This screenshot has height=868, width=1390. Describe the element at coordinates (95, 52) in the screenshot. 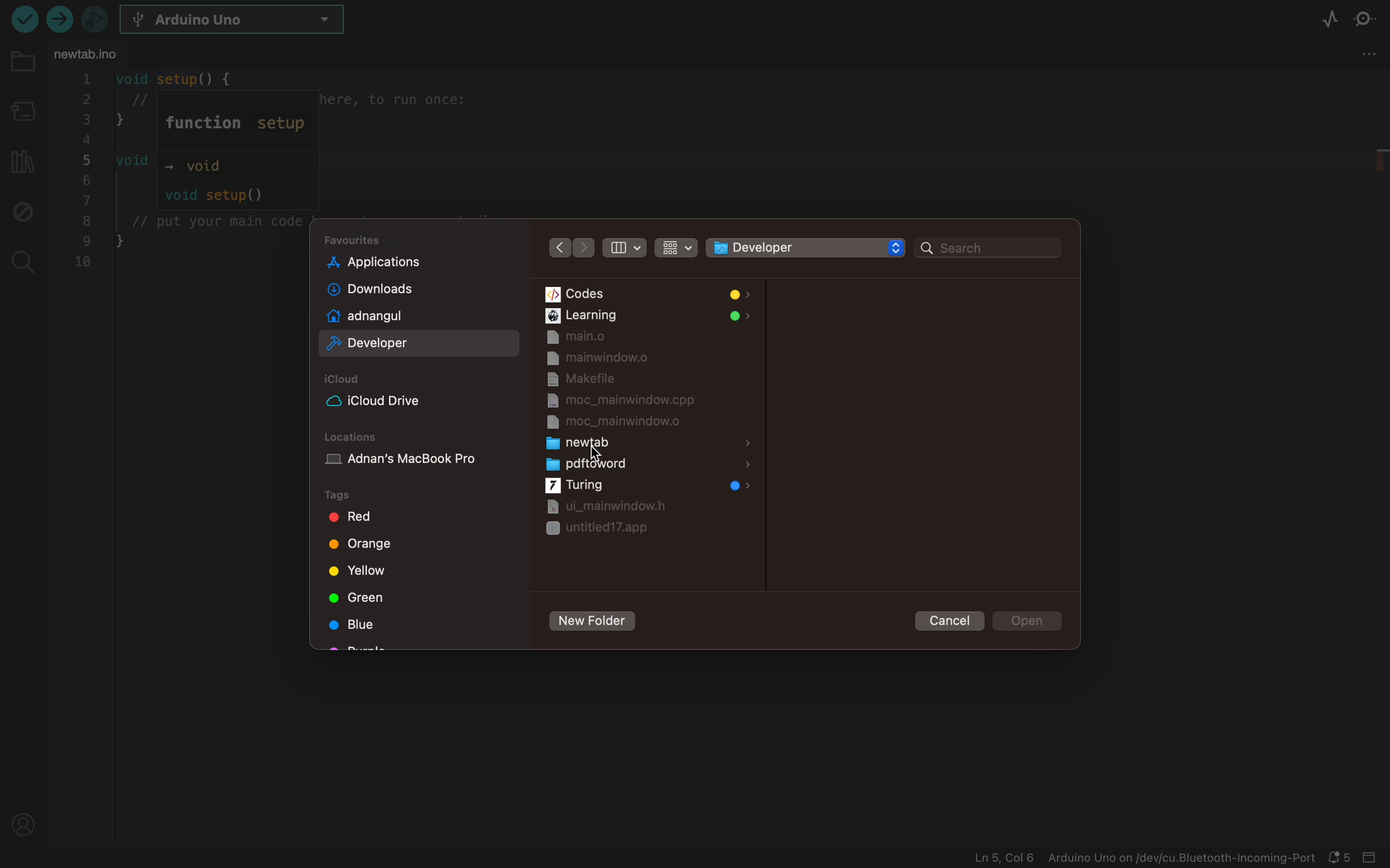

I see `newtab.io` at that location.